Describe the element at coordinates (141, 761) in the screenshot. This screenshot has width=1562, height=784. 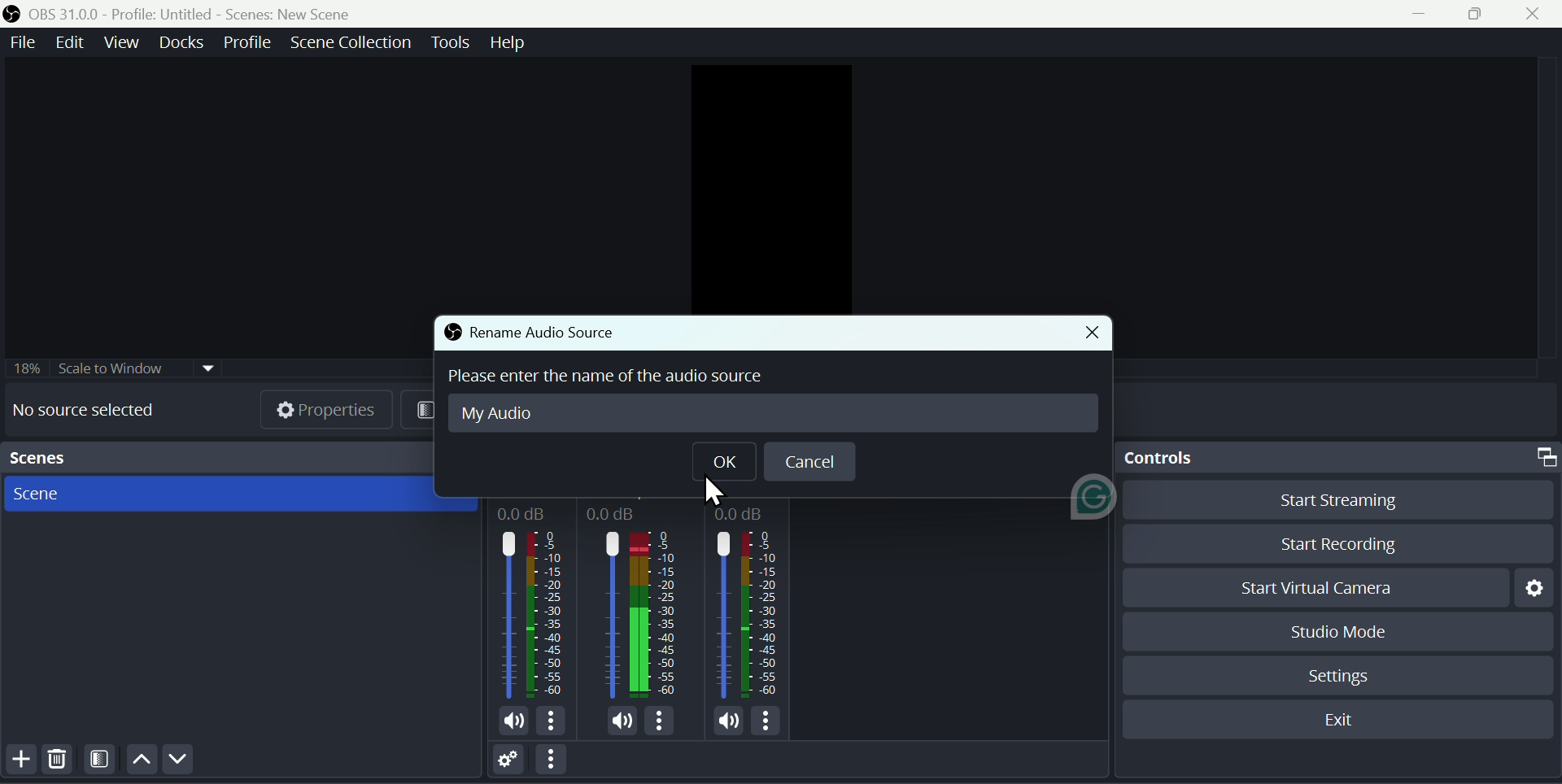
I see `Up` at that location.